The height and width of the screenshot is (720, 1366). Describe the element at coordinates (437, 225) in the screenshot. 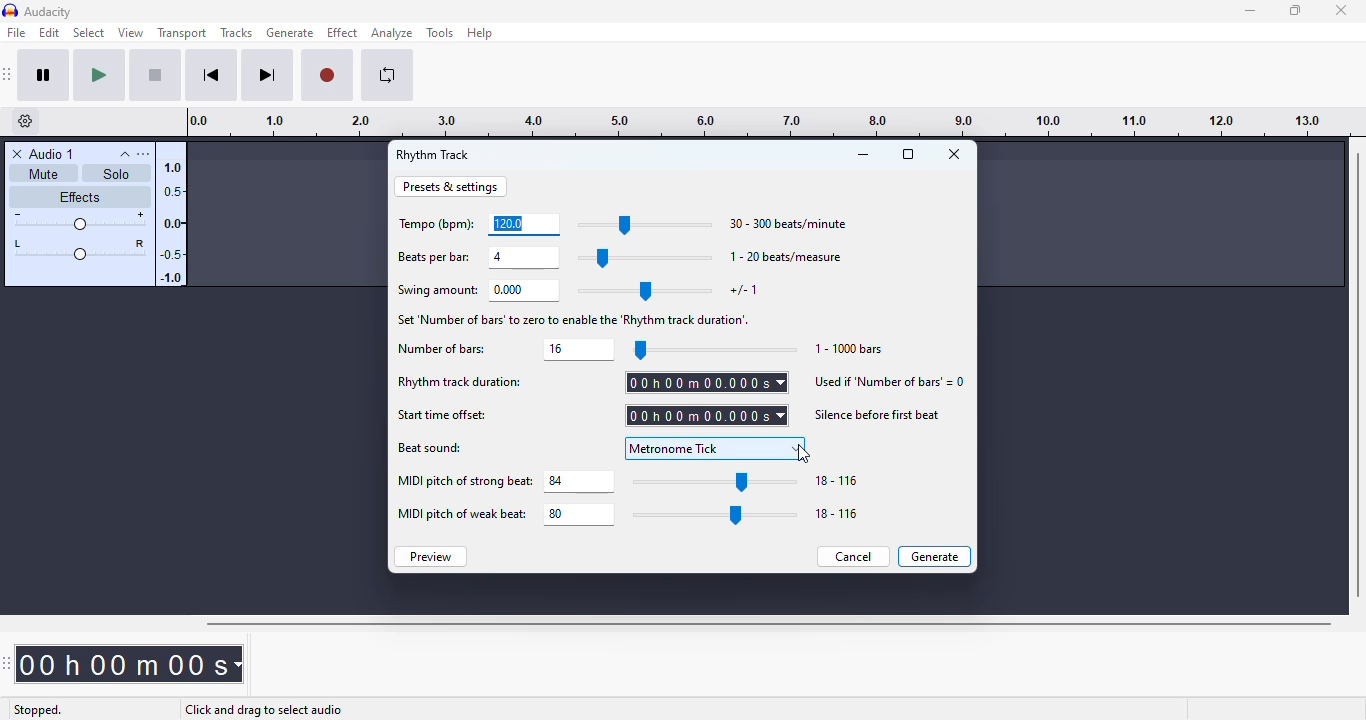

I see `tempo (bpm)` at that location.